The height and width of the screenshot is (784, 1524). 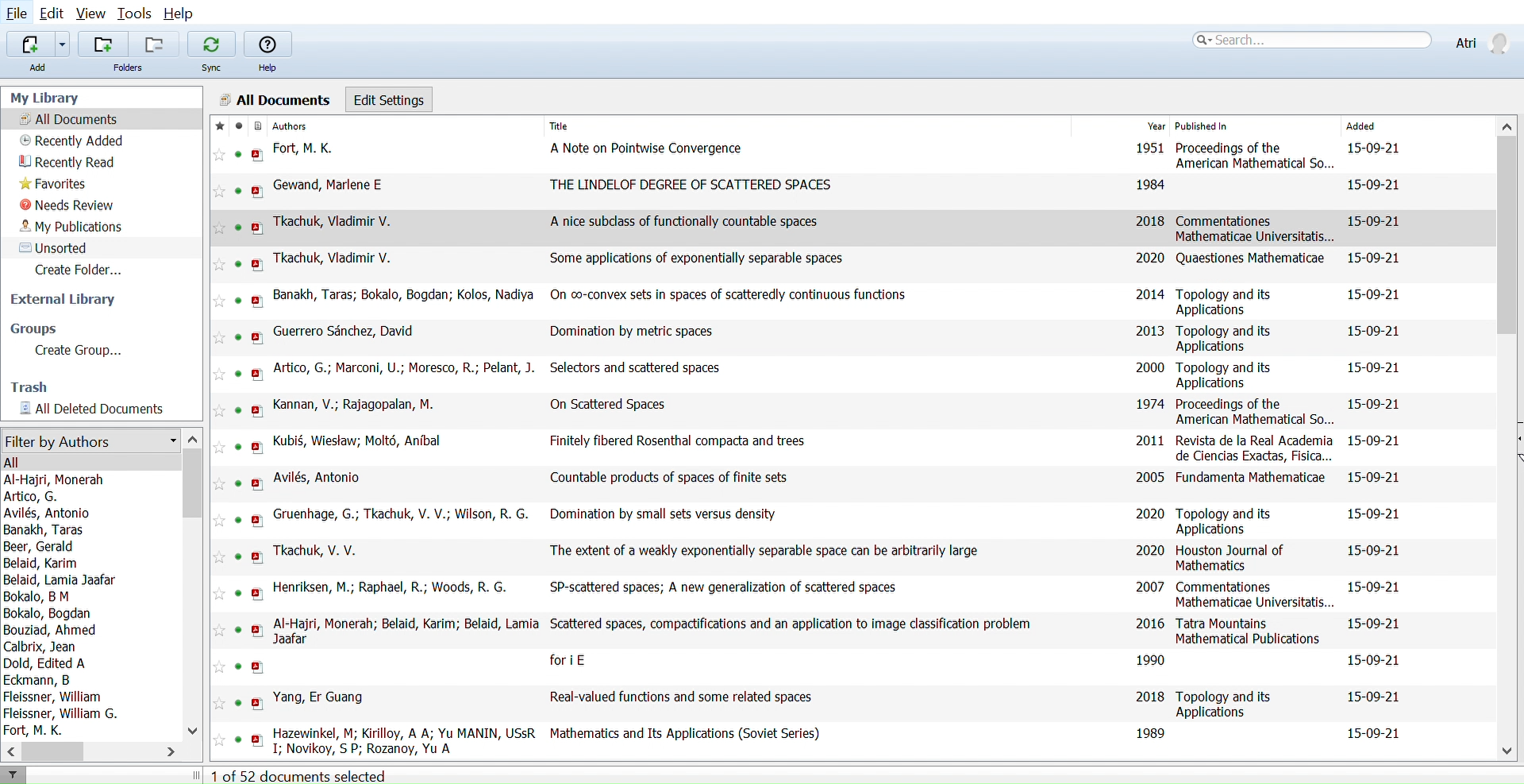 I want to click on Move down in all files, so click(x=1508, y=752).